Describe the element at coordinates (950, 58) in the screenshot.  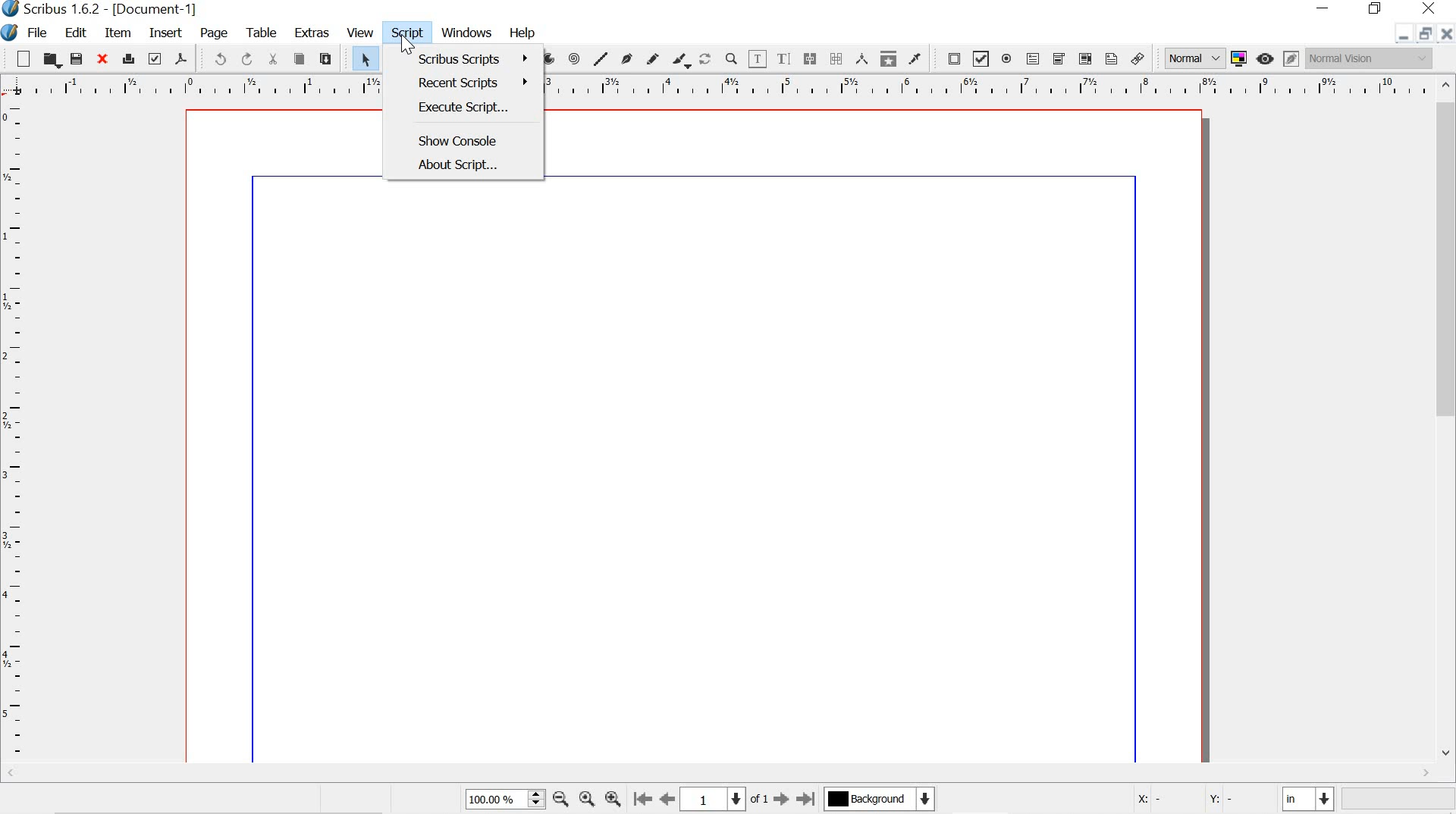
I see `pdf push button` at that location.